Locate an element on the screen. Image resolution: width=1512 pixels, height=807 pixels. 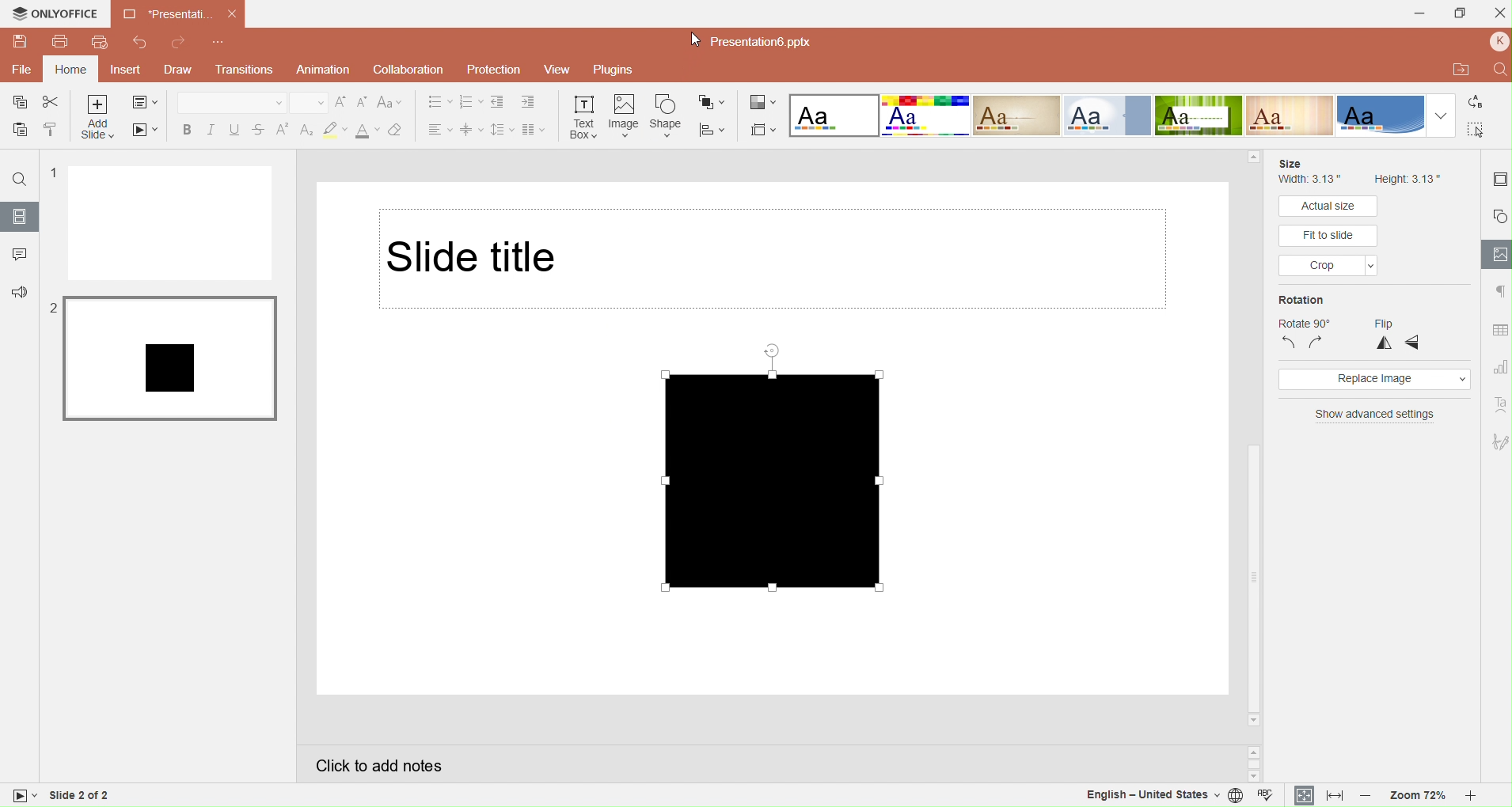
Basic is located at coordinates (926, 115).